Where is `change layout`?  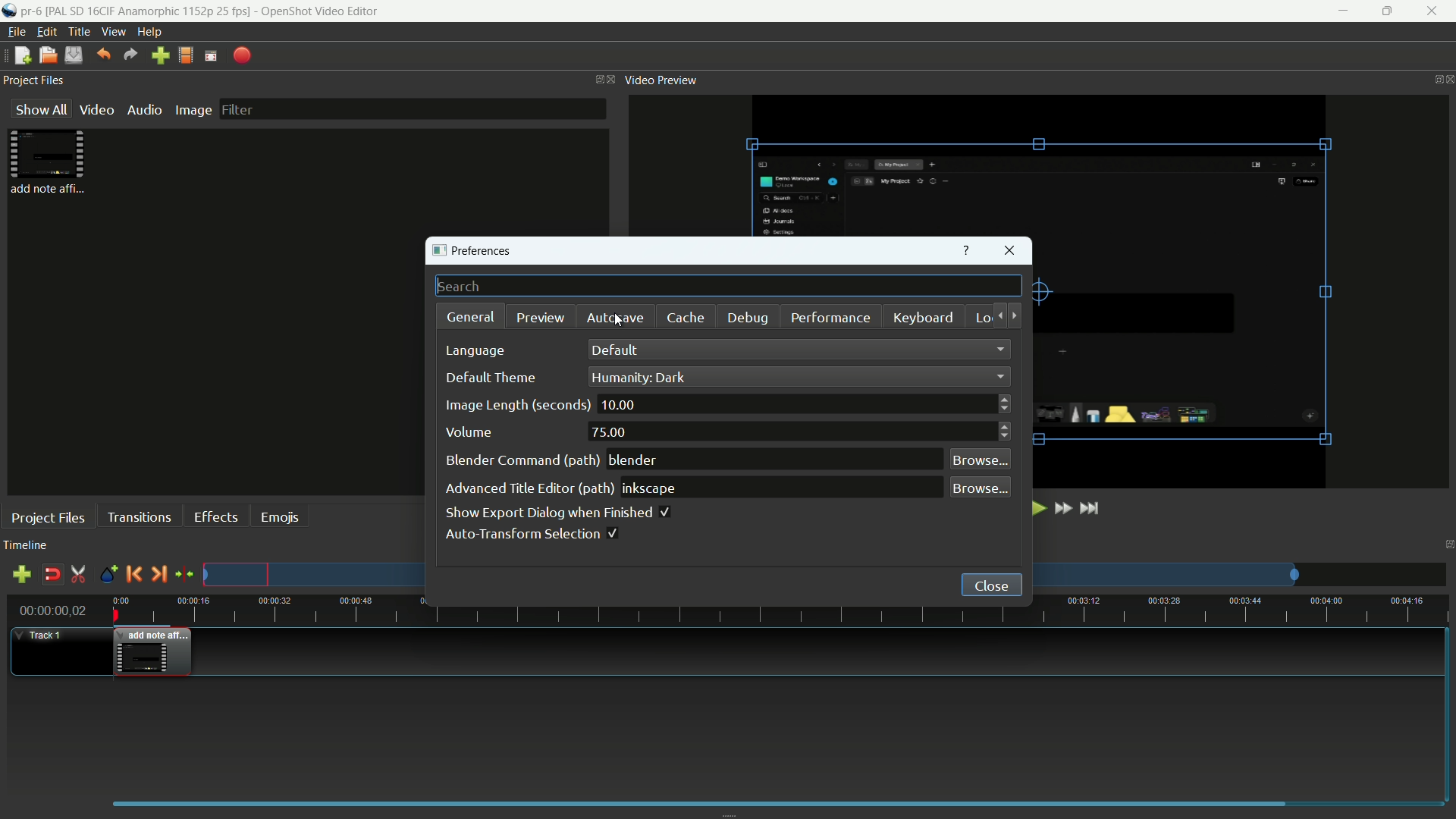 change layout is located at coordinates (597, 79).